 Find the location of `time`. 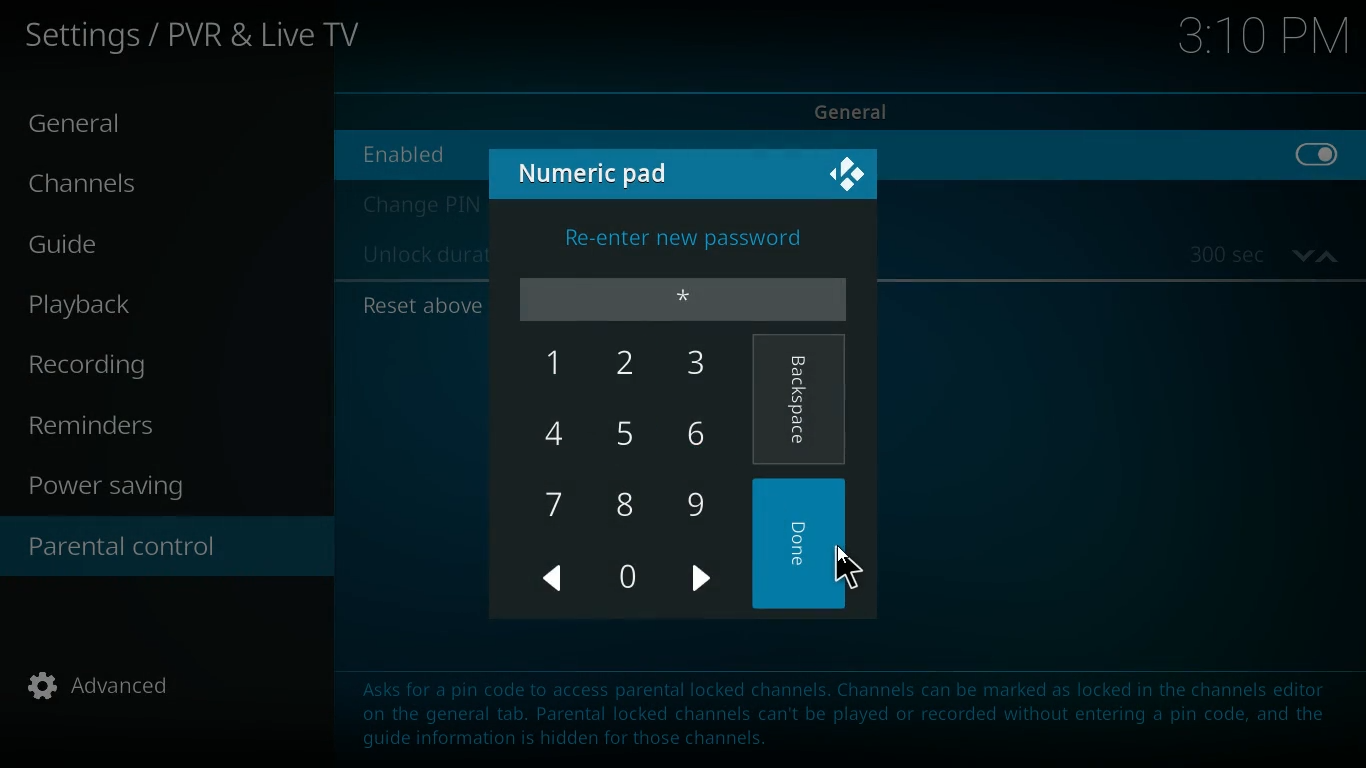

time is located at coordinates (1264, 255).